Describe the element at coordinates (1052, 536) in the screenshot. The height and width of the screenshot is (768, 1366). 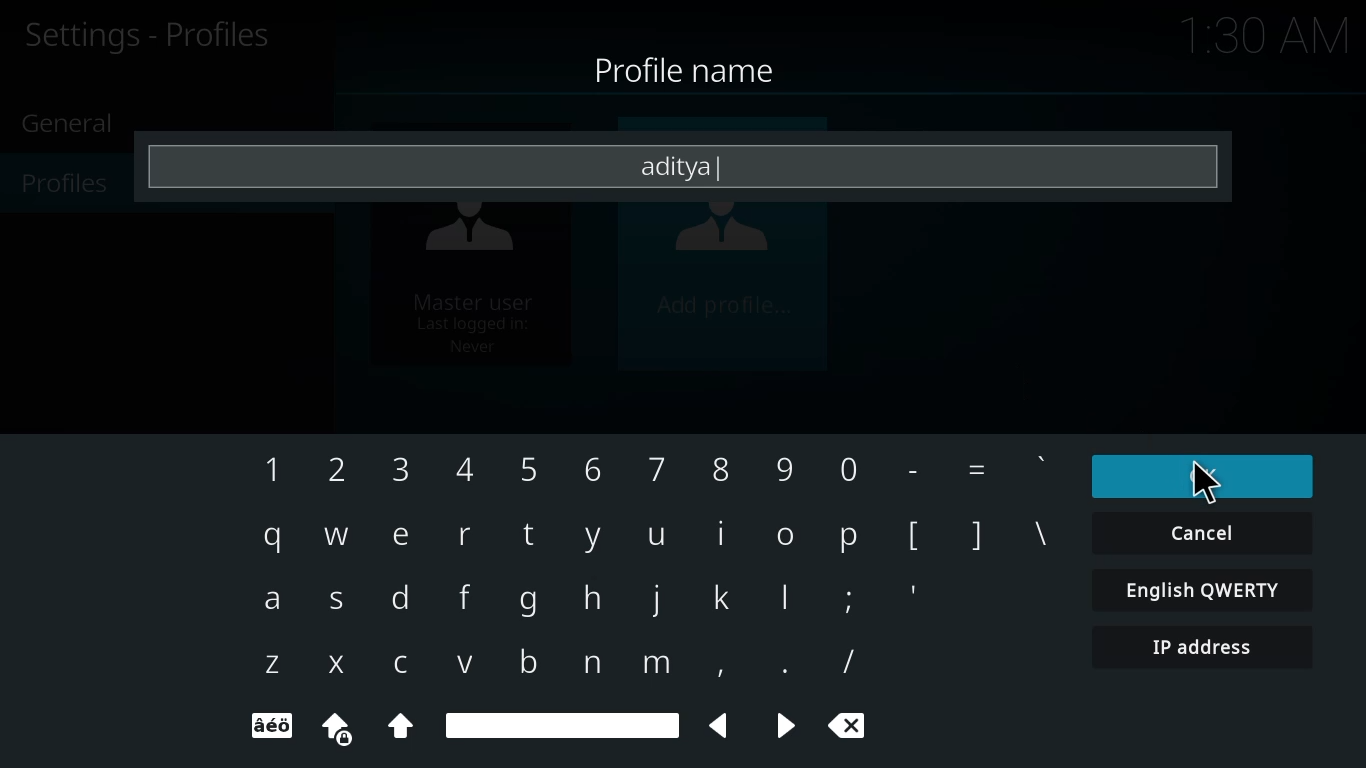
I see `\` at that location.